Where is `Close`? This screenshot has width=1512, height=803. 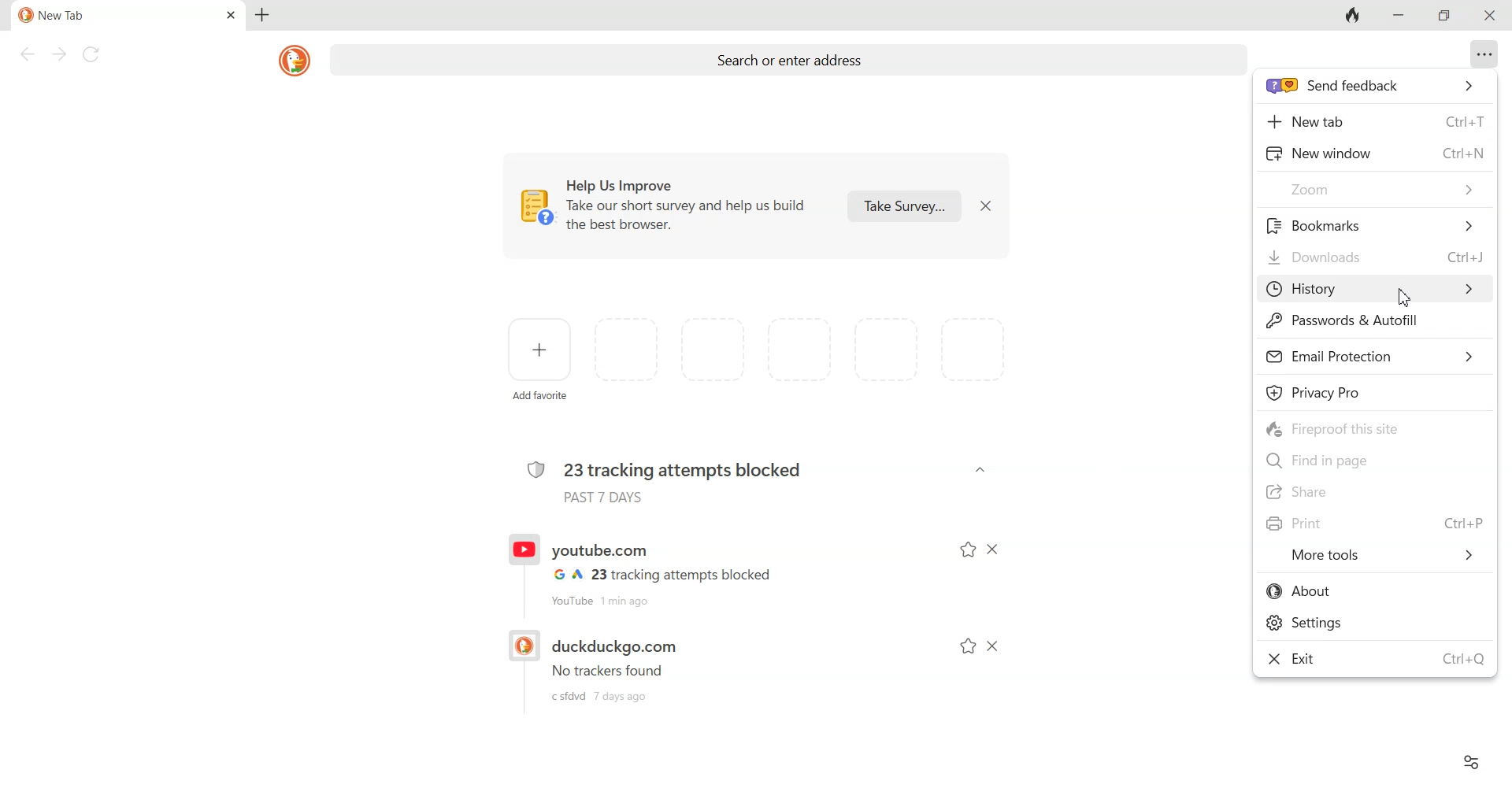
Close is located at coordinates (1487, 16).